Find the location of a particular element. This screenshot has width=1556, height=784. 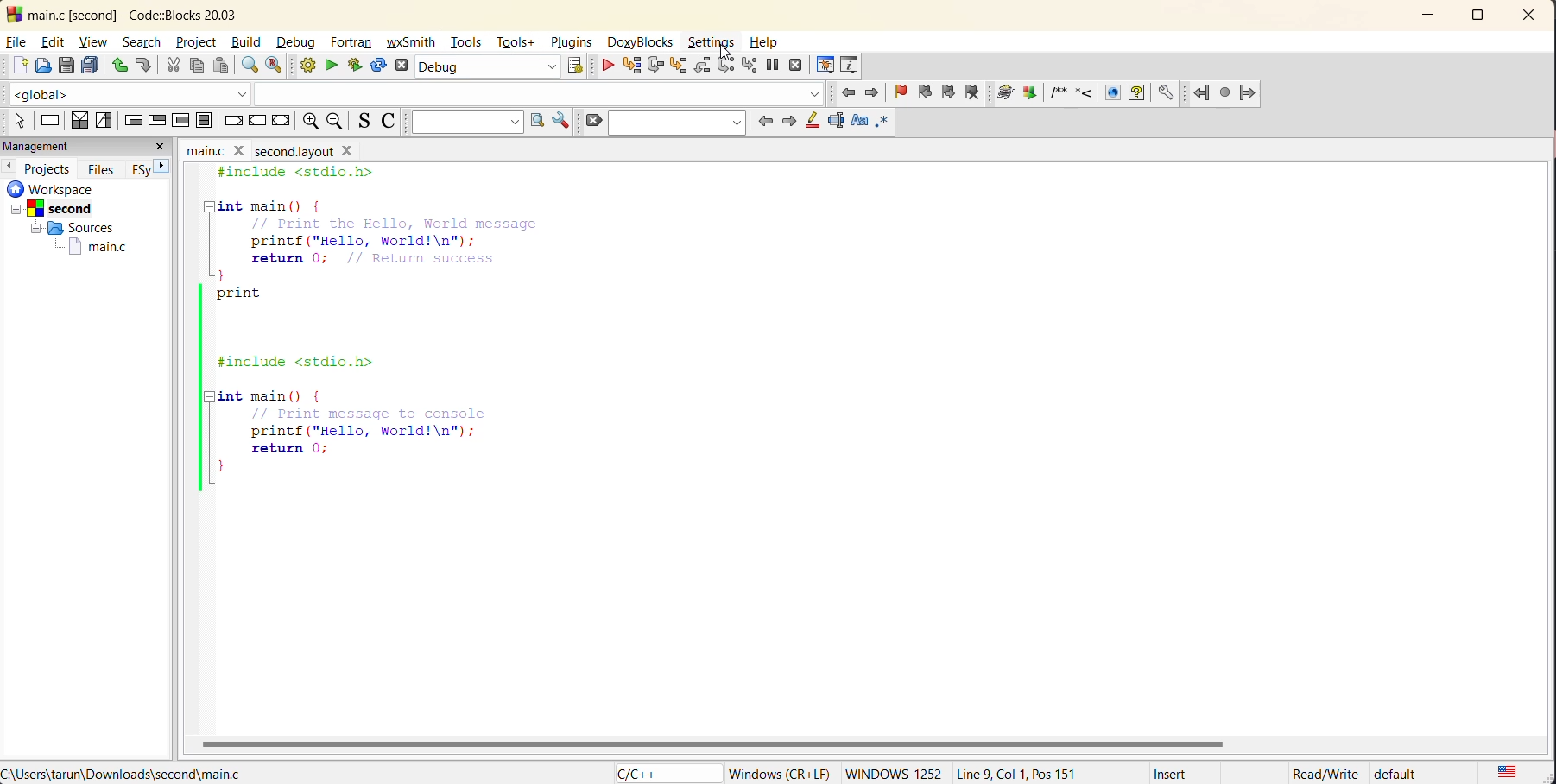

fortran is located at coordinates (354, 44).